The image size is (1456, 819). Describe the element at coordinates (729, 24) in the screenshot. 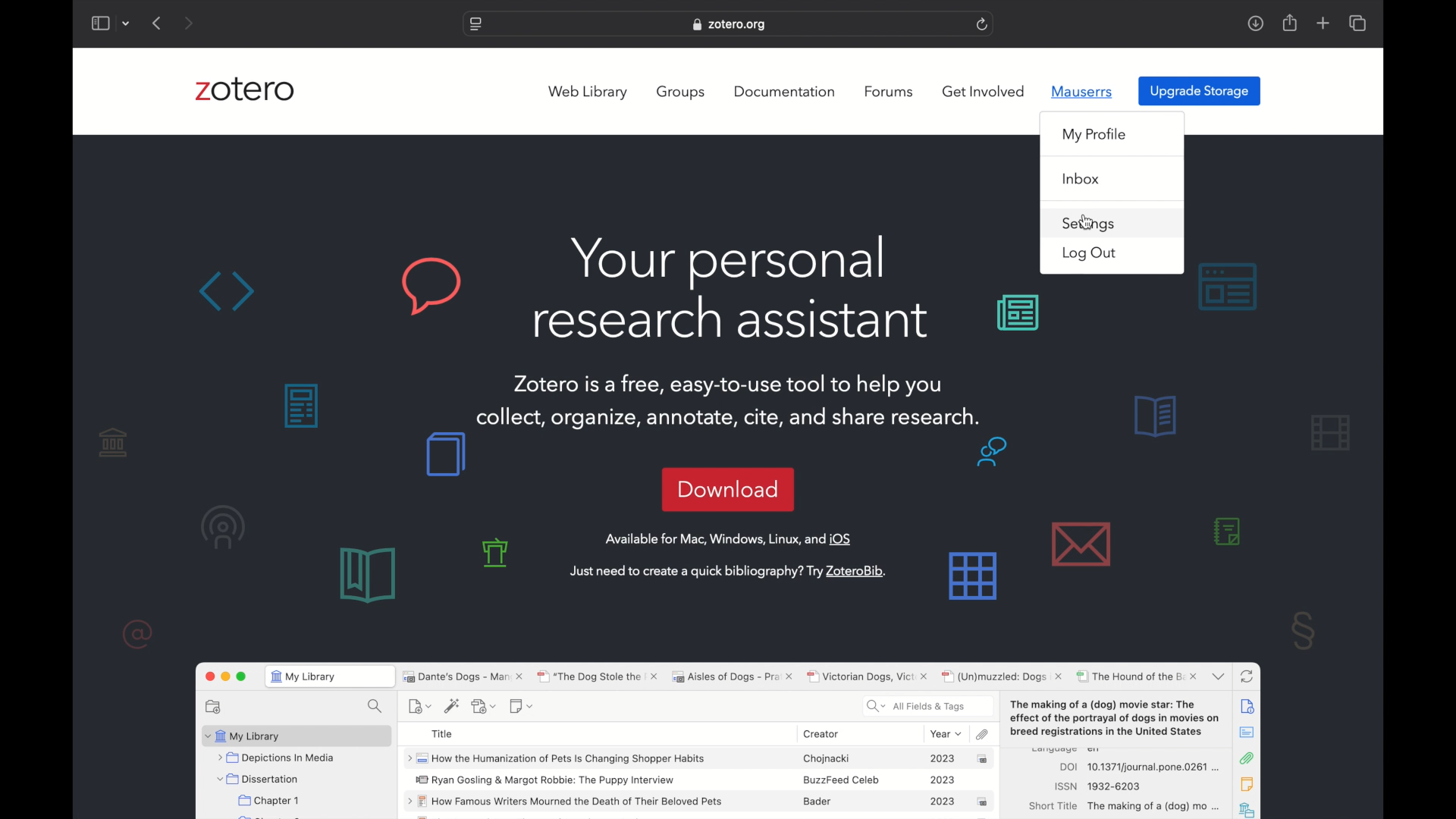

I see `website address` at that location.